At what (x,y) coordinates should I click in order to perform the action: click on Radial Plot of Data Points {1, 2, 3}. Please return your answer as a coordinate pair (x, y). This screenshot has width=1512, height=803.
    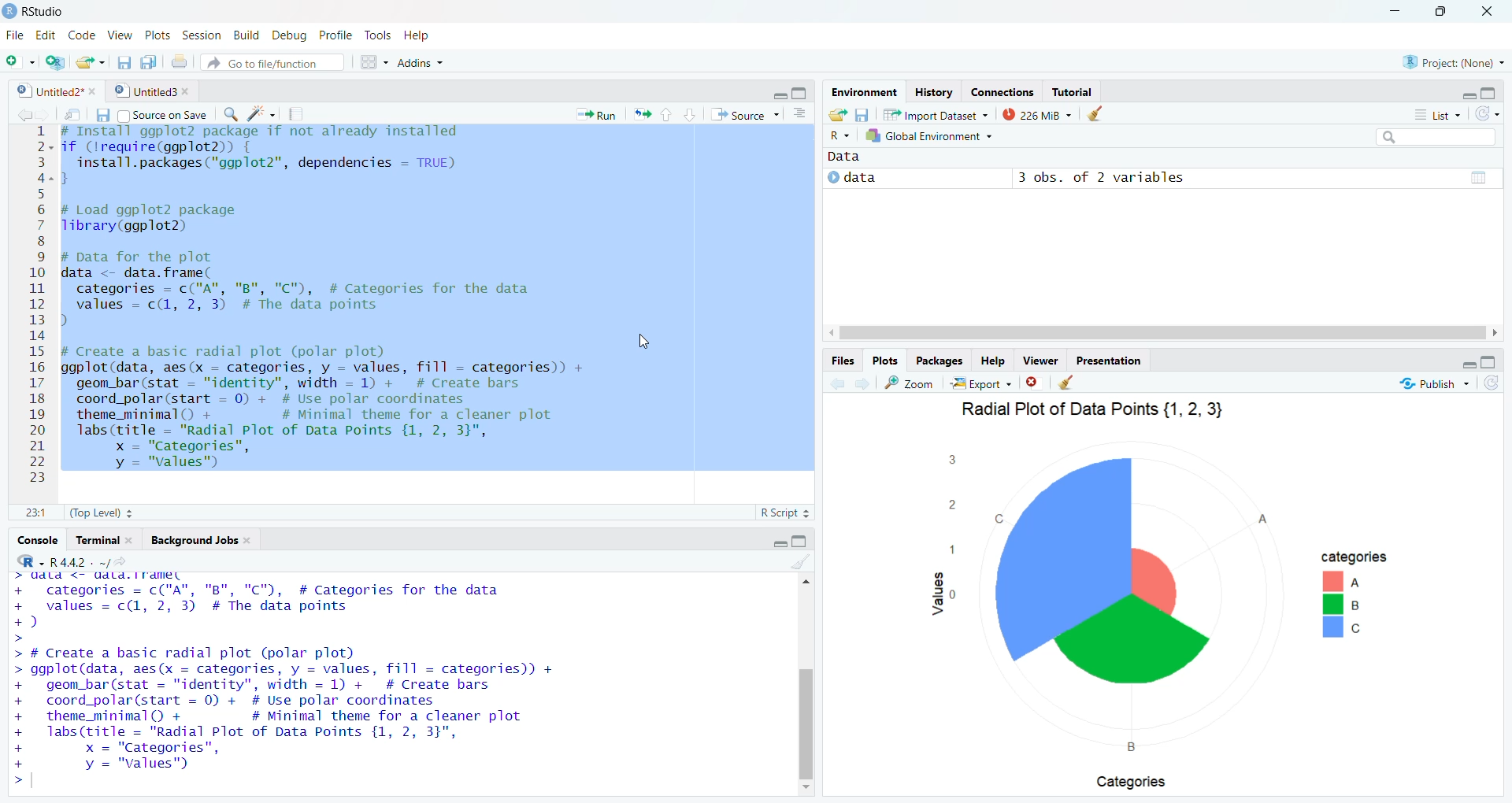
    Looking at the image, I should click on (1099, 410).